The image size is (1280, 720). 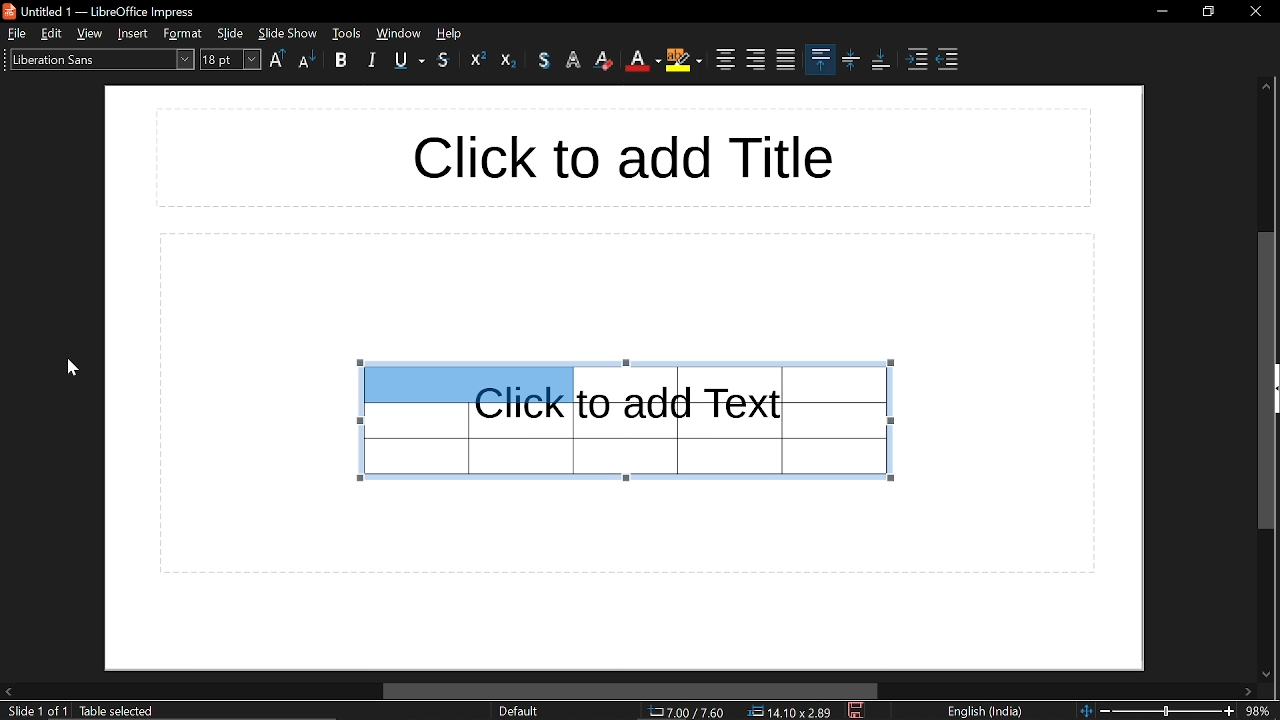 I want to click on edit, so click(x=52, y=33).